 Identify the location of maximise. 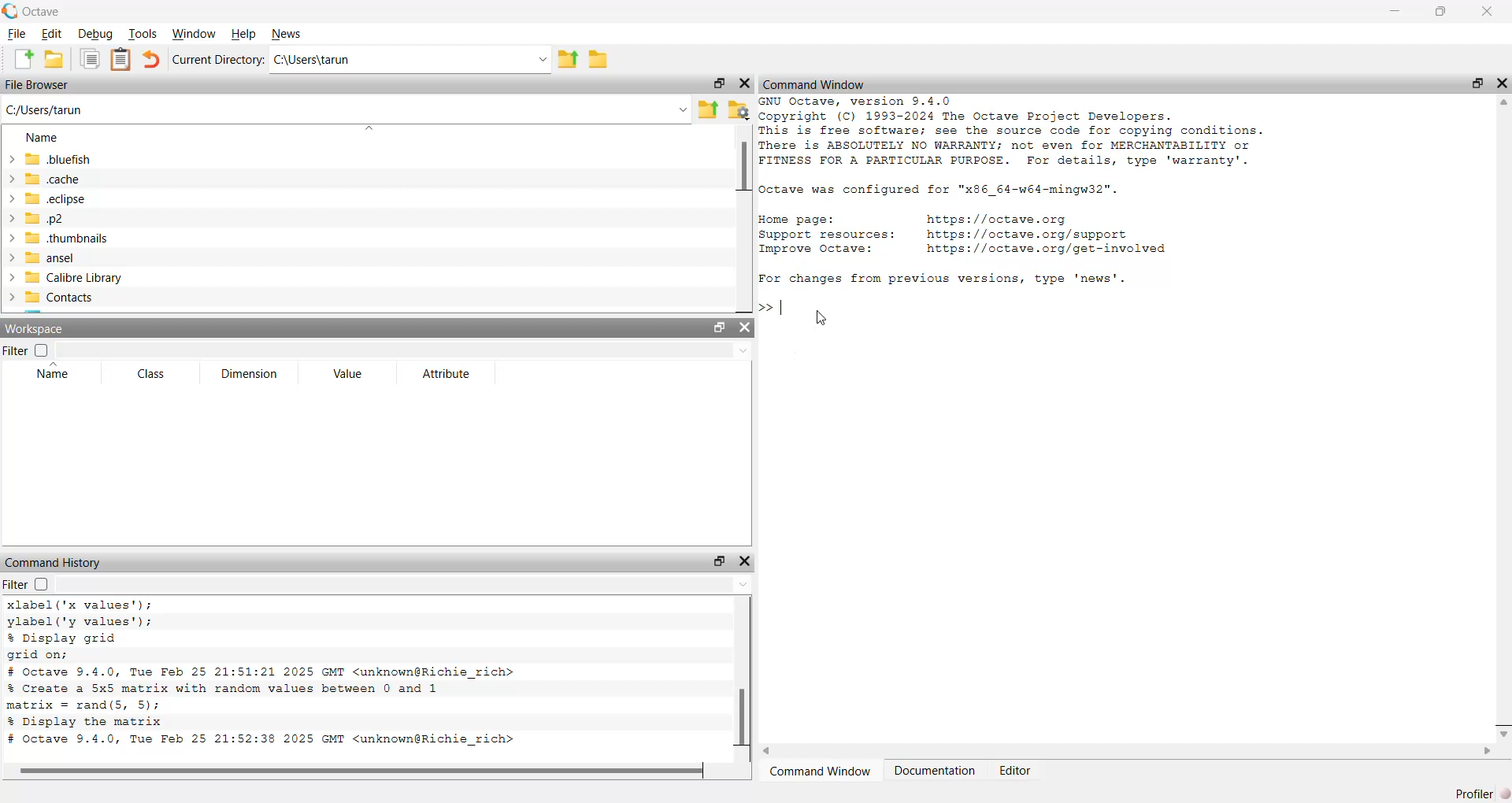
(1476, 83).